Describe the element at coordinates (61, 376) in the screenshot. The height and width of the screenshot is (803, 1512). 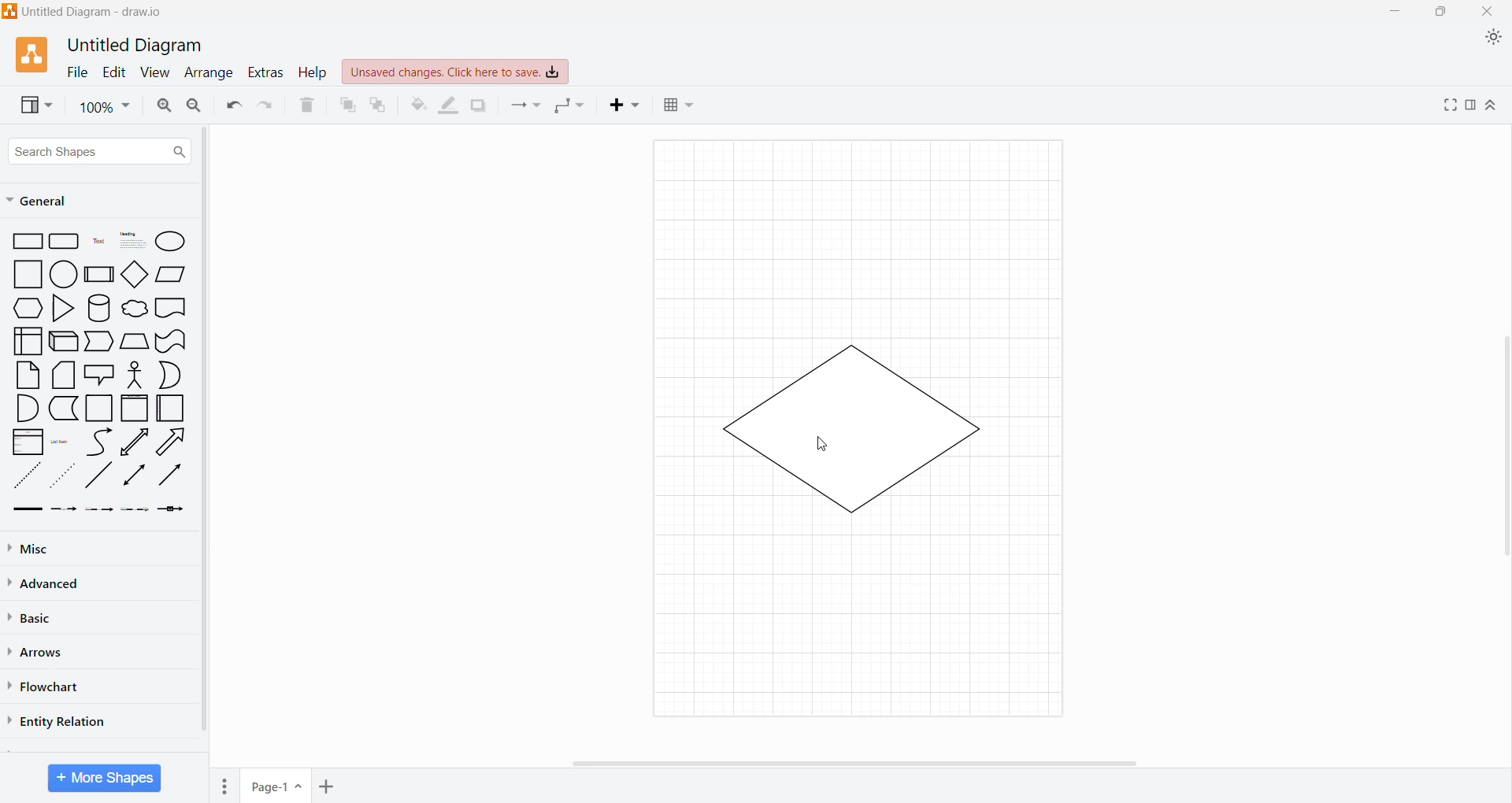
I see `Card` at that location.